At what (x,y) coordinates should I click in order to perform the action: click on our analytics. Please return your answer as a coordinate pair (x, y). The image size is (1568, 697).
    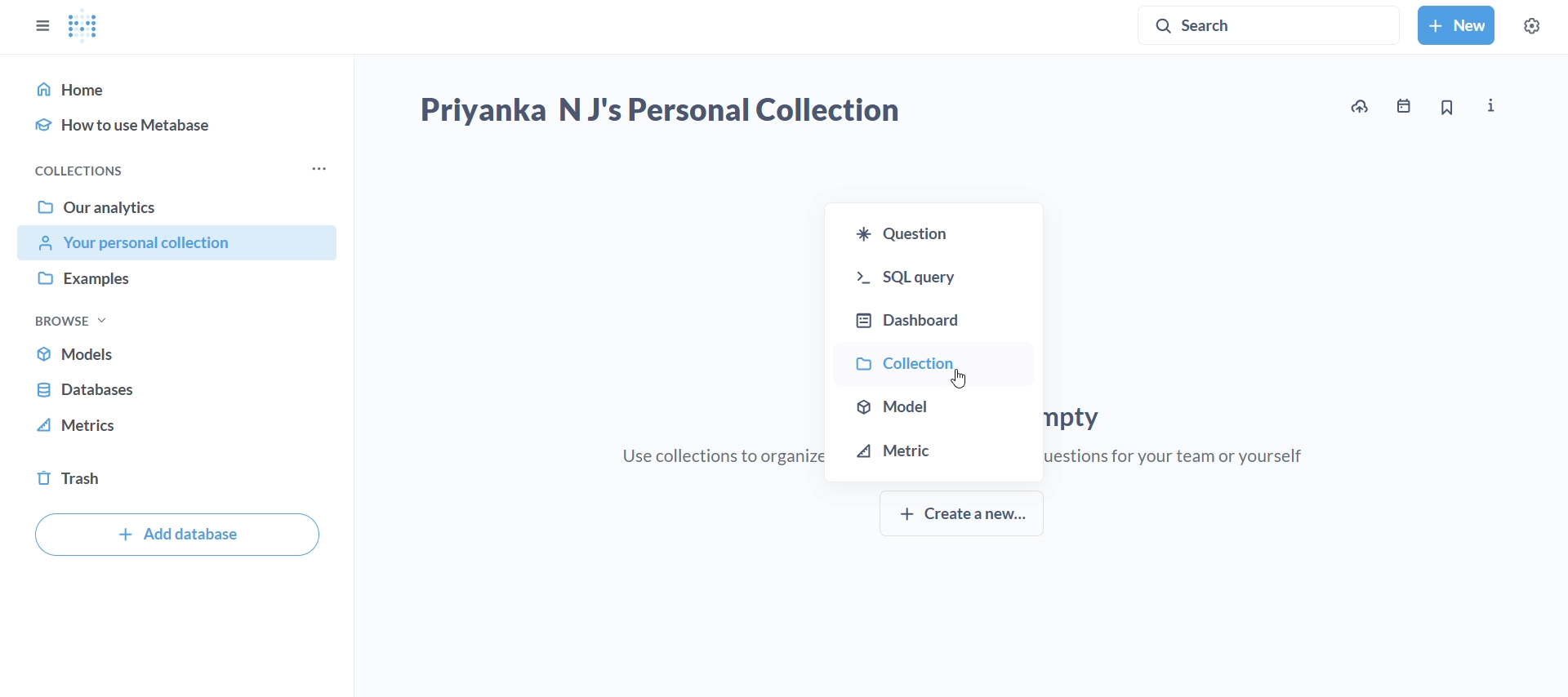
    Looking at the image, I should click on (177, 206).